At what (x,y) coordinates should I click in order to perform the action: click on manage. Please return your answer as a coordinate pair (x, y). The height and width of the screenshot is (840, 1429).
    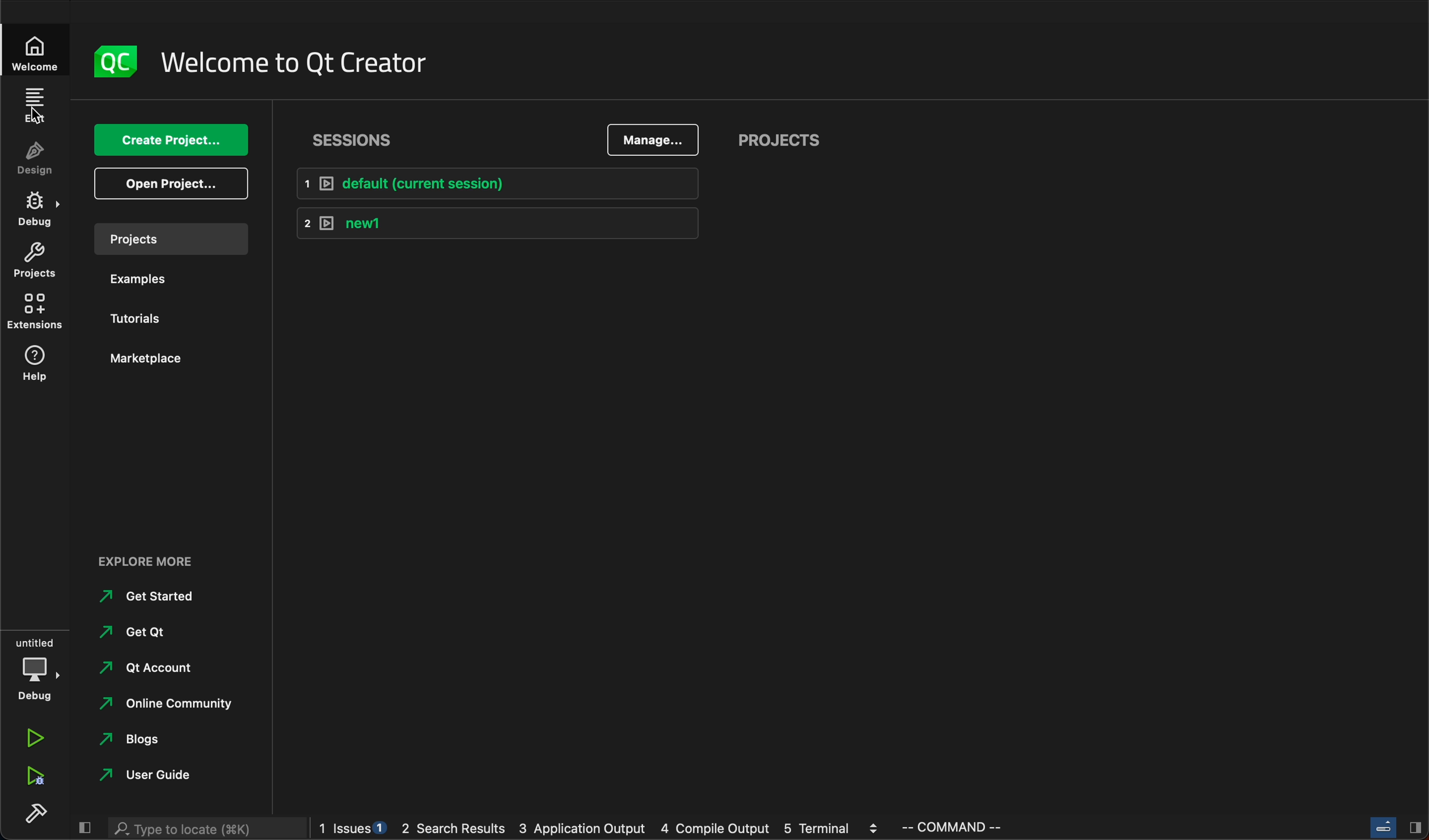
    Looking at the image, I should click on (652, 140).